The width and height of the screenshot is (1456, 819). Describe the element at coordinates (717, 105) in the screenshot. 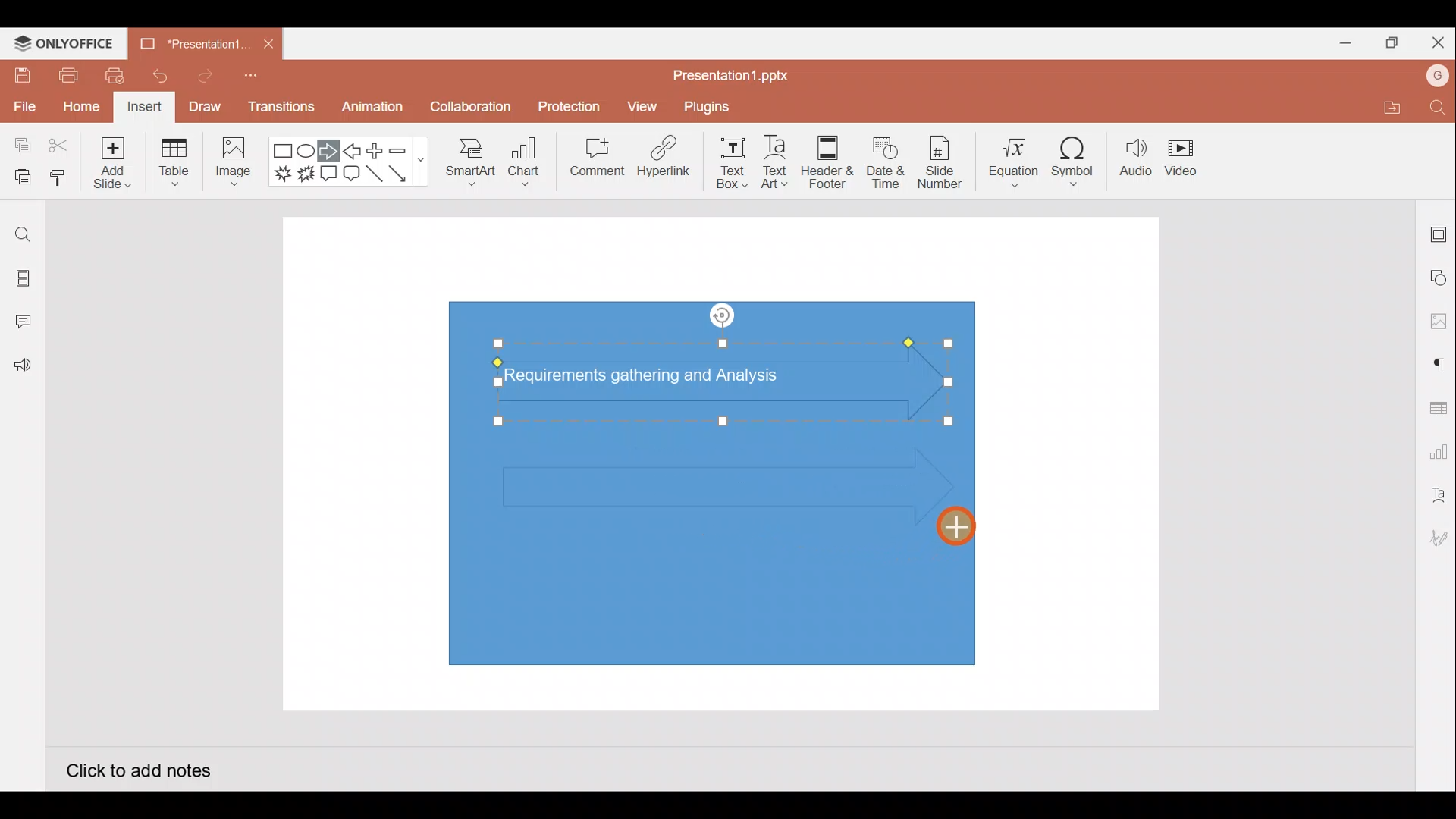

I see `Plugins` at that location.